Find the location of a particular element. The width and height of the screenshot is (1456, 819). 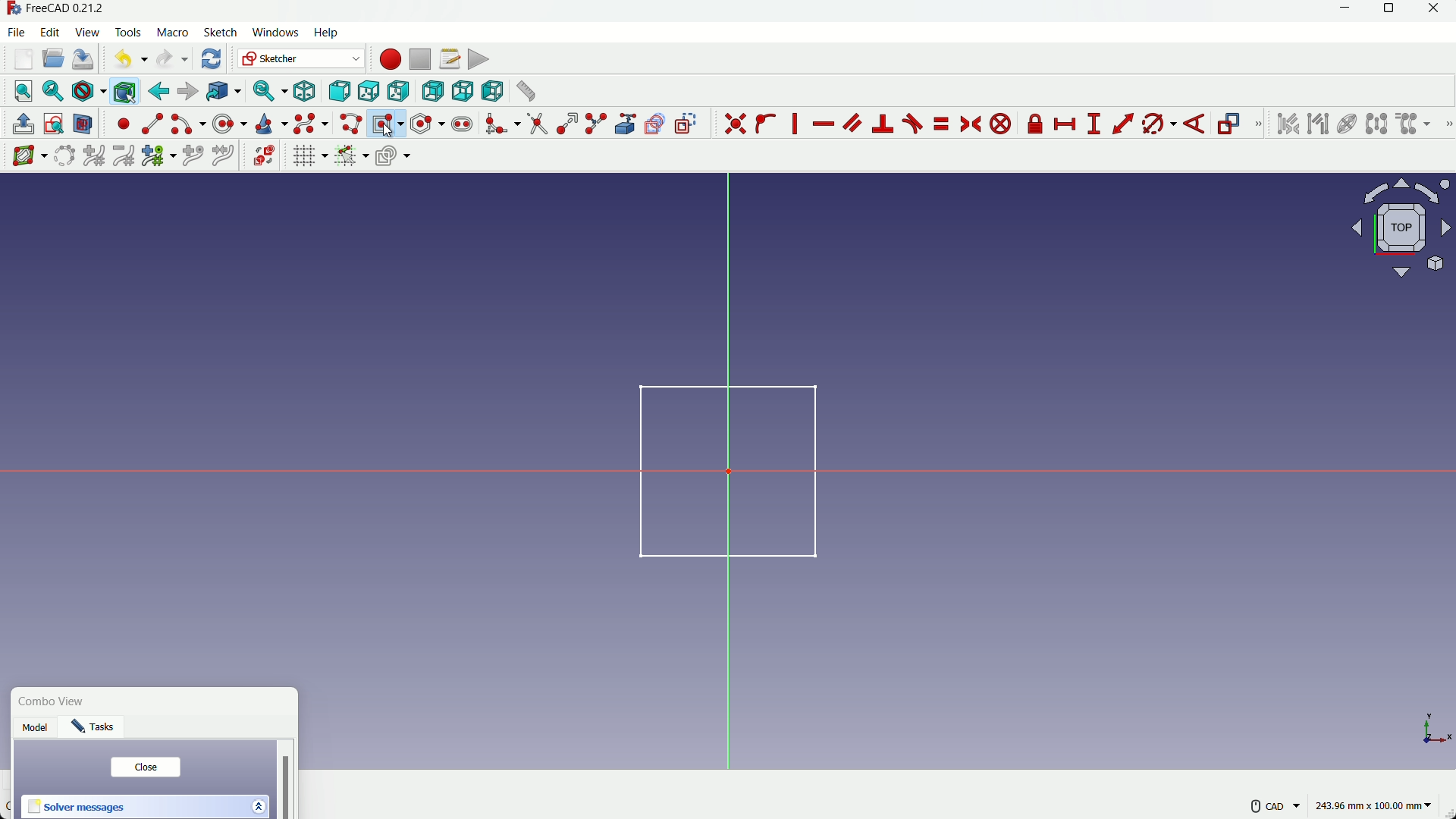

constraint symmetric is located at coordinates (972, 124).